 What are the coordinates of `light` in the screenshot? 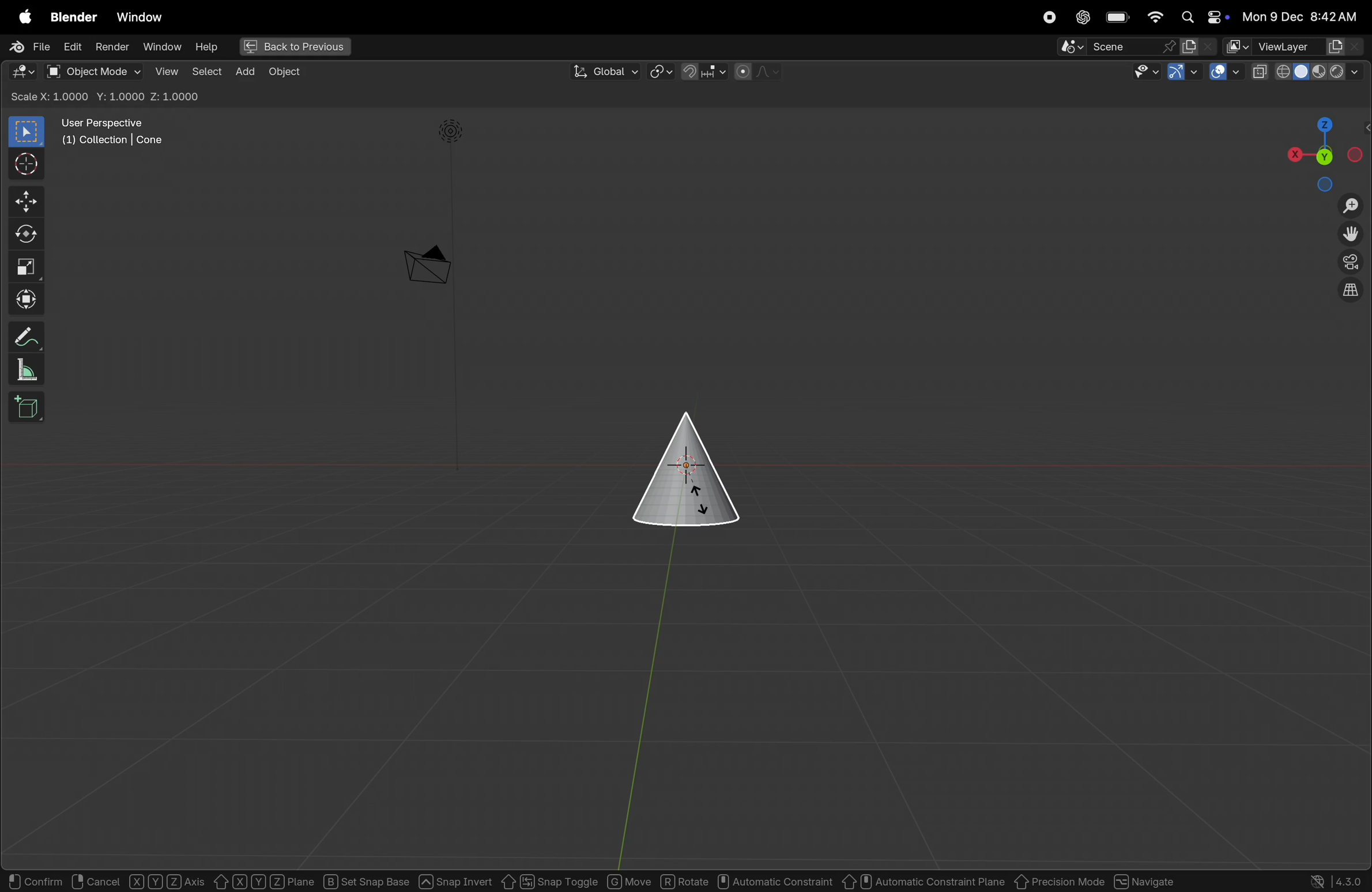 It's located at (453, 131).